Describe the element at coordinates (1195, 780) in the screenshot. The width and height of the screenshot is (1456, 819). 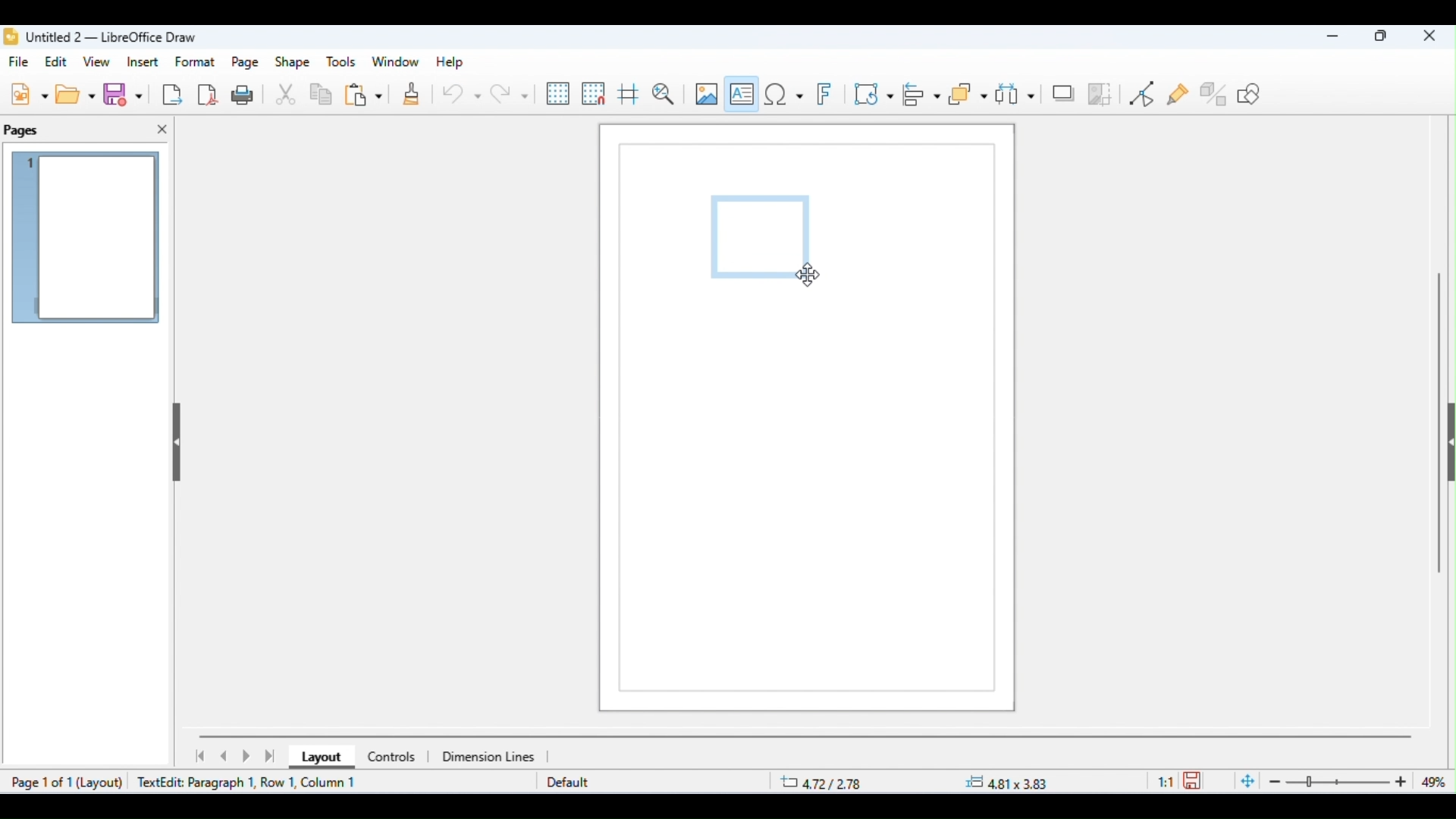
I see `save` at that location.